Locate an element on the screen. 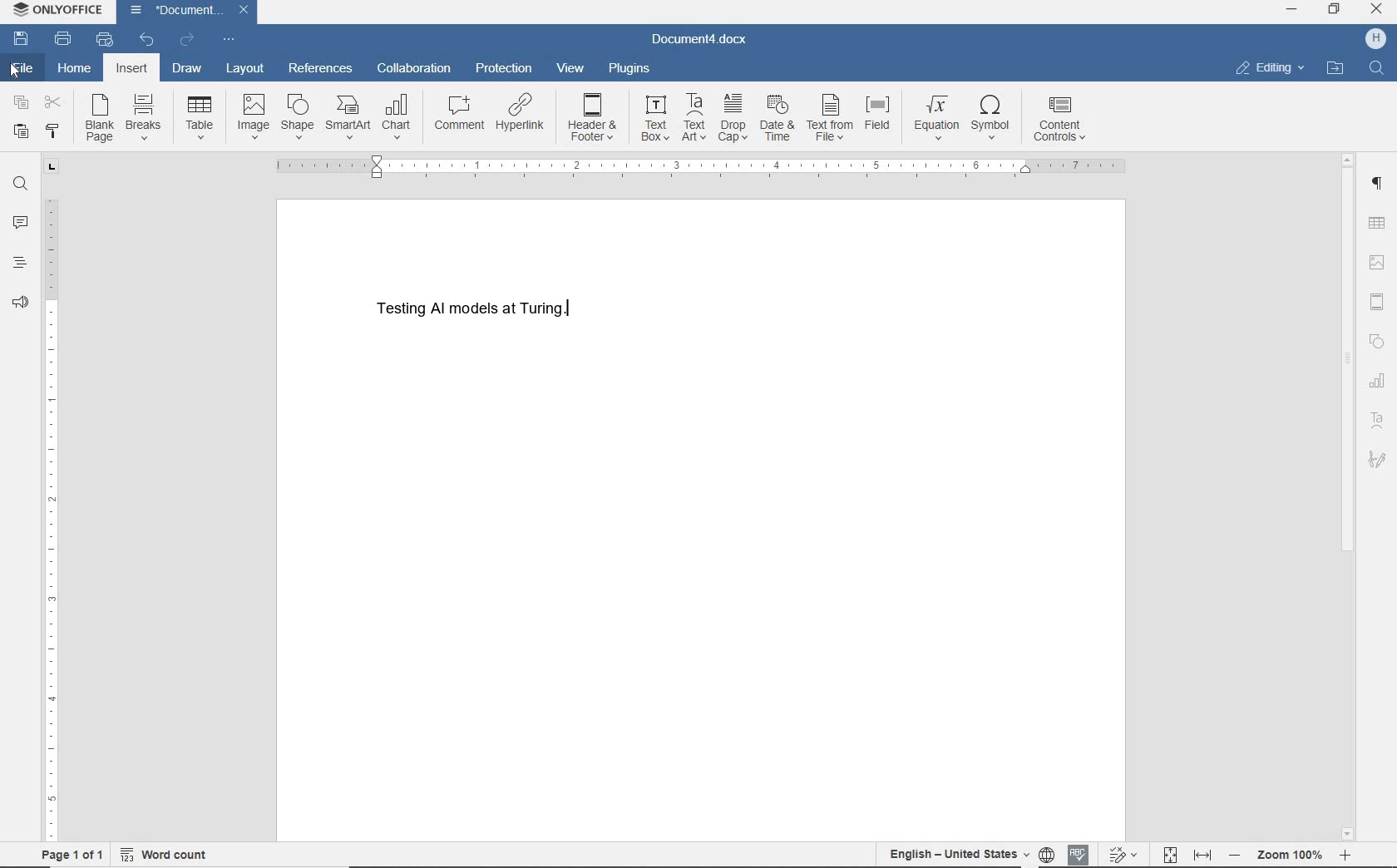 This screenshot has width=1397, height=868. blank page is located at coordinates (101, 118).